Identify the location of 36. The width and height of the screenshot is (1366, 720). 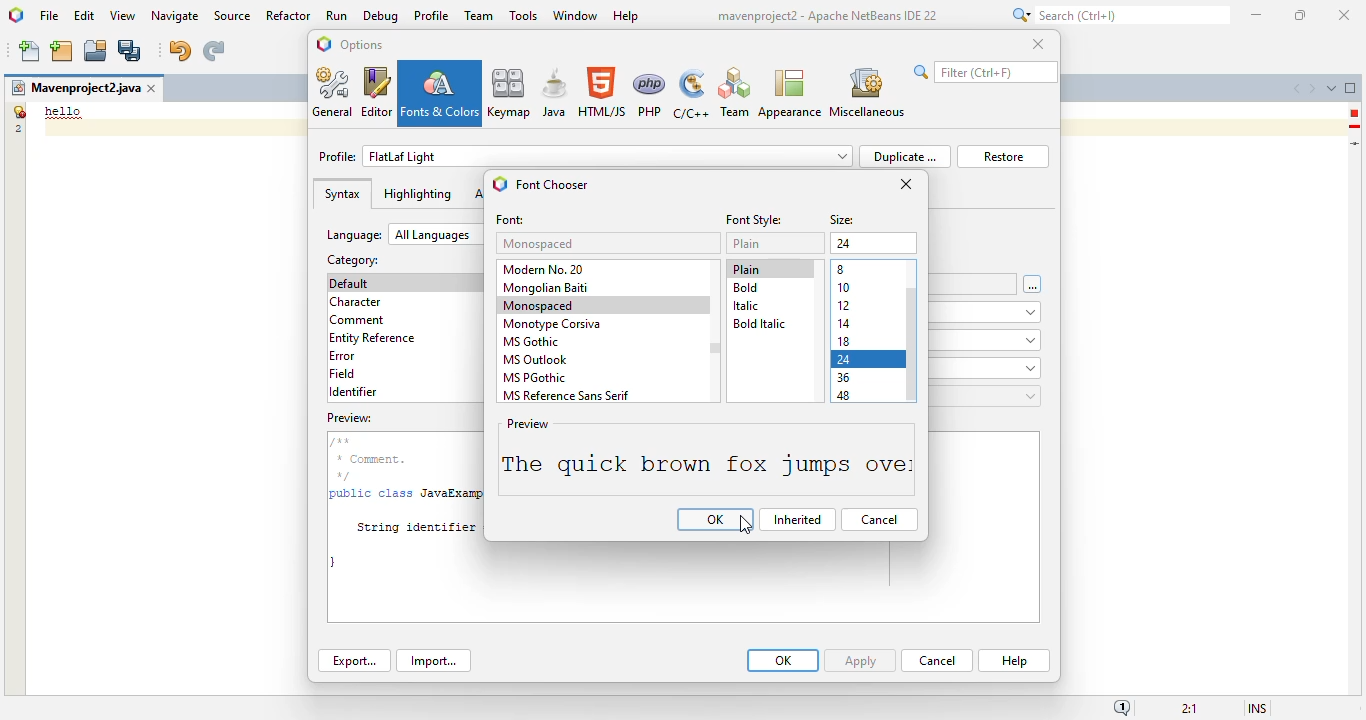
(844, 379).